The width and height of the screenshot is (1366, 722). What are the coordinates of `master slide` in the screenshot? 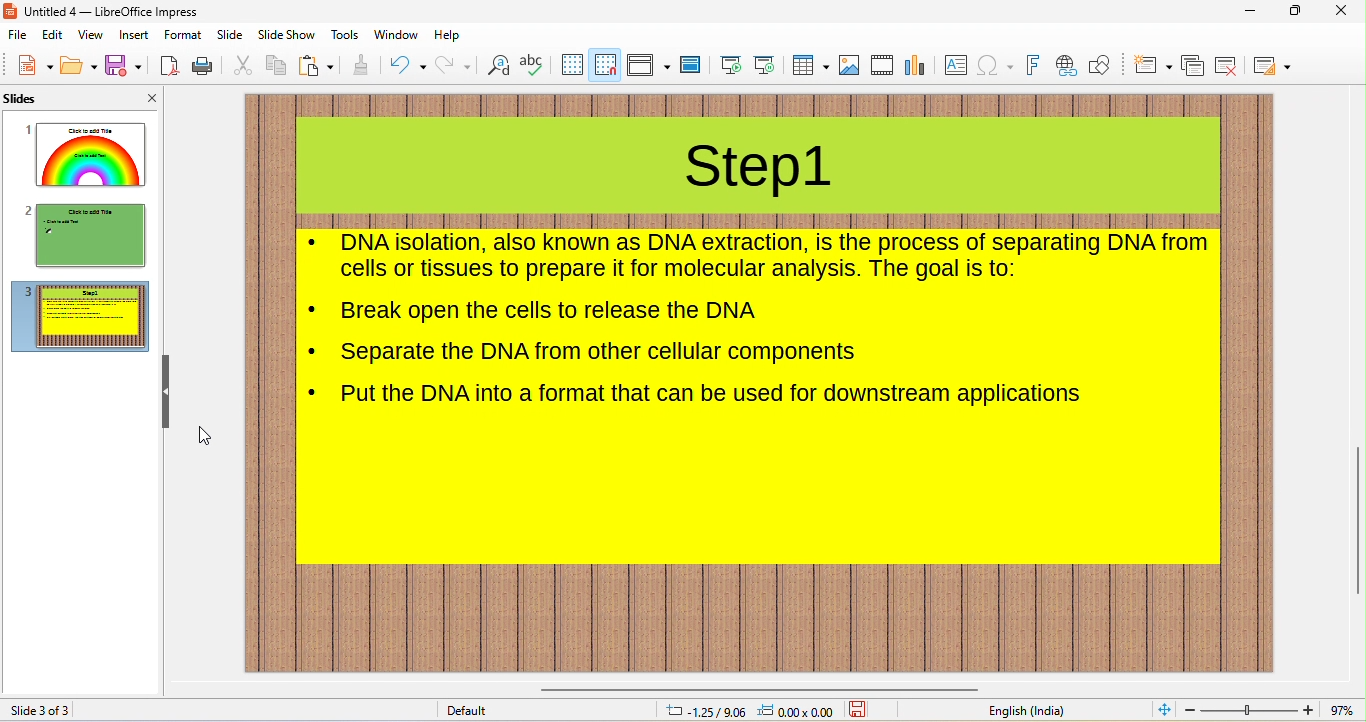 It's located at (691, 66).